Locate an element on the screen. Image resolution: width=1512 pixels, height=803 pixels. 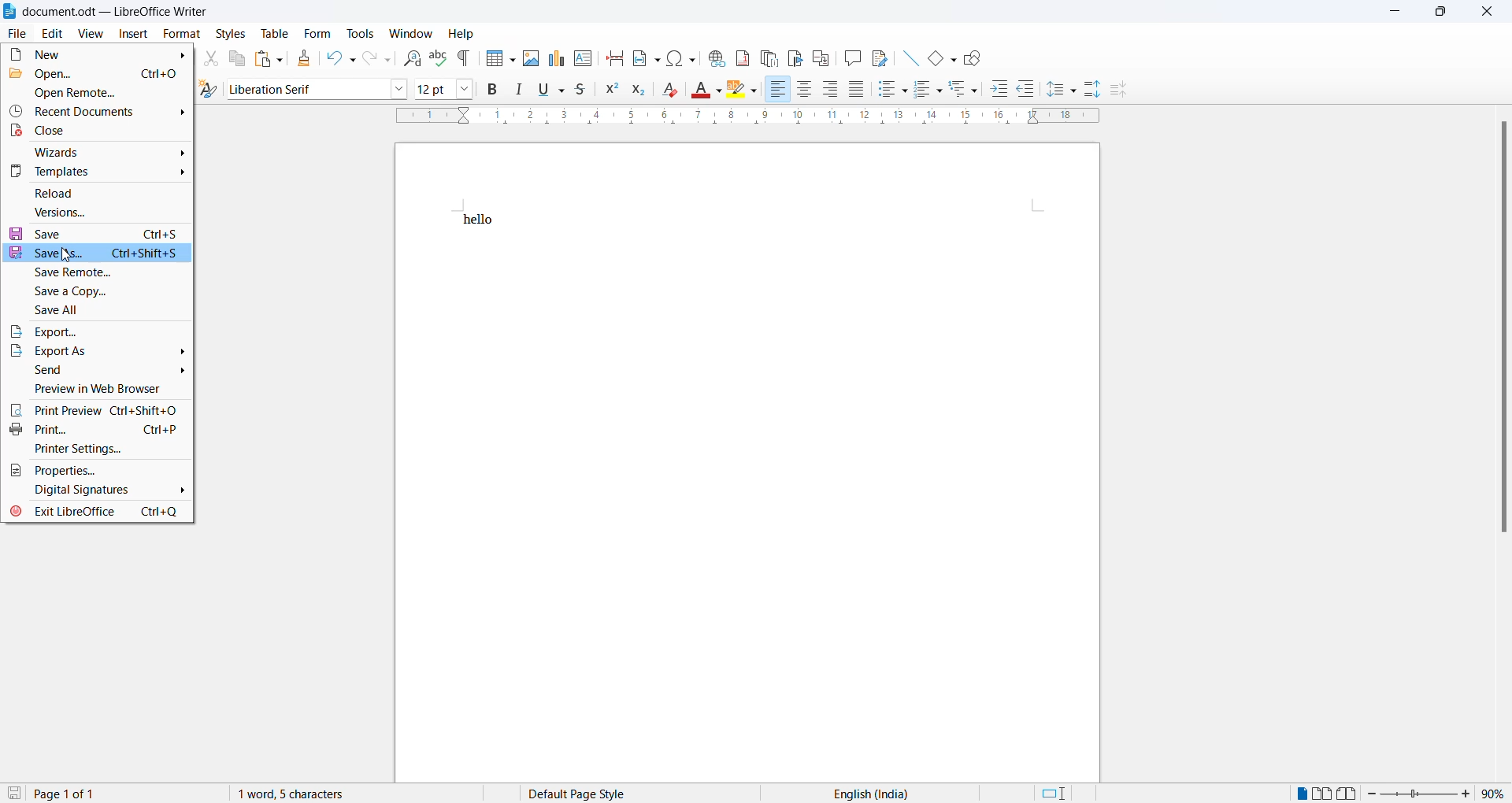
Insert comments is located at coordinates (852, 59).